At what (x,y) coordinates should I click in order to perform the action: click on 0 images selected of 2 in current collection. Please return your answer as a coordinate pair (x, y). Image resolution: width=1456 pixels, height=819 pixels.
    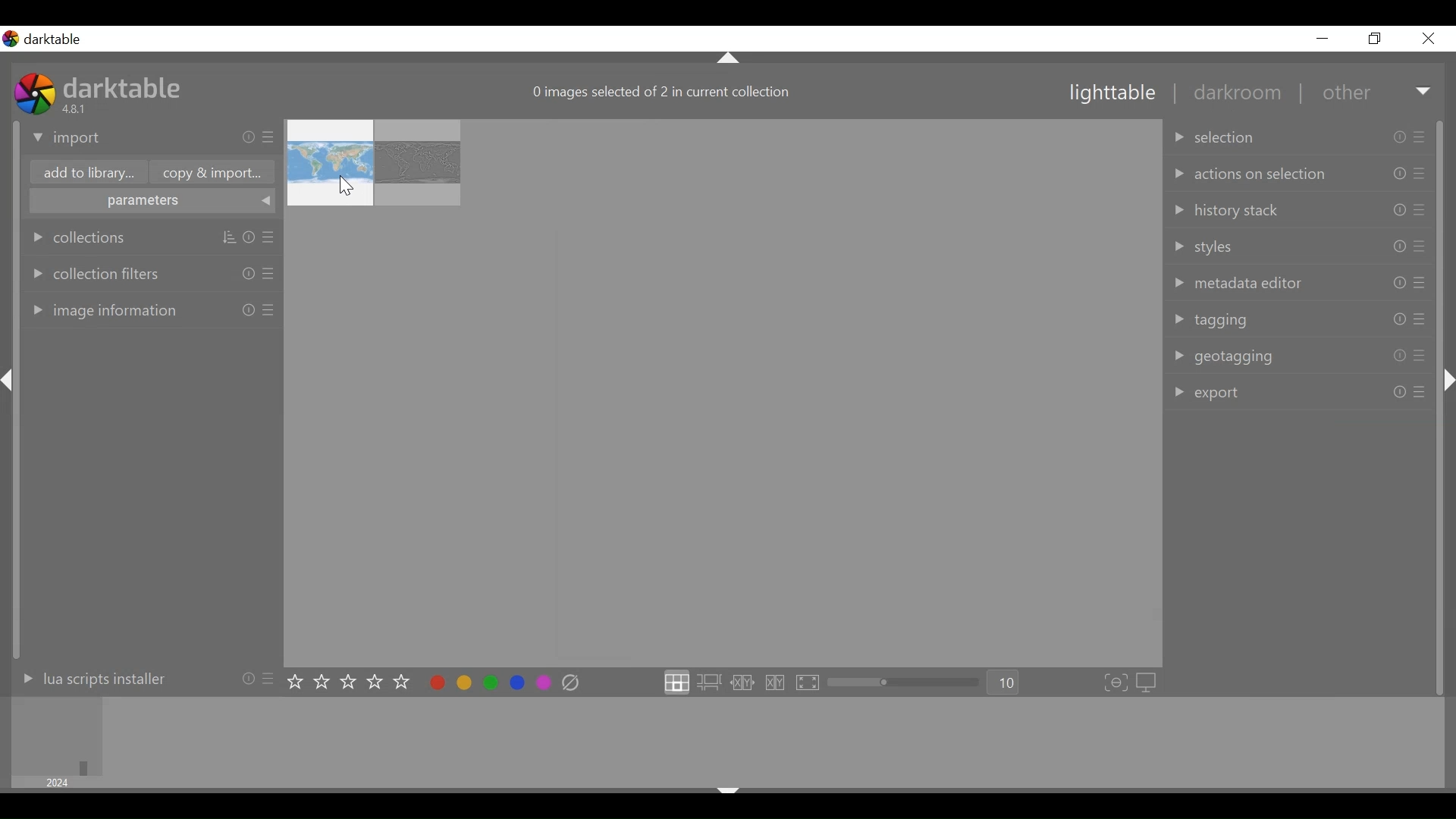
    Looking at the image, I should click on (662, 93).